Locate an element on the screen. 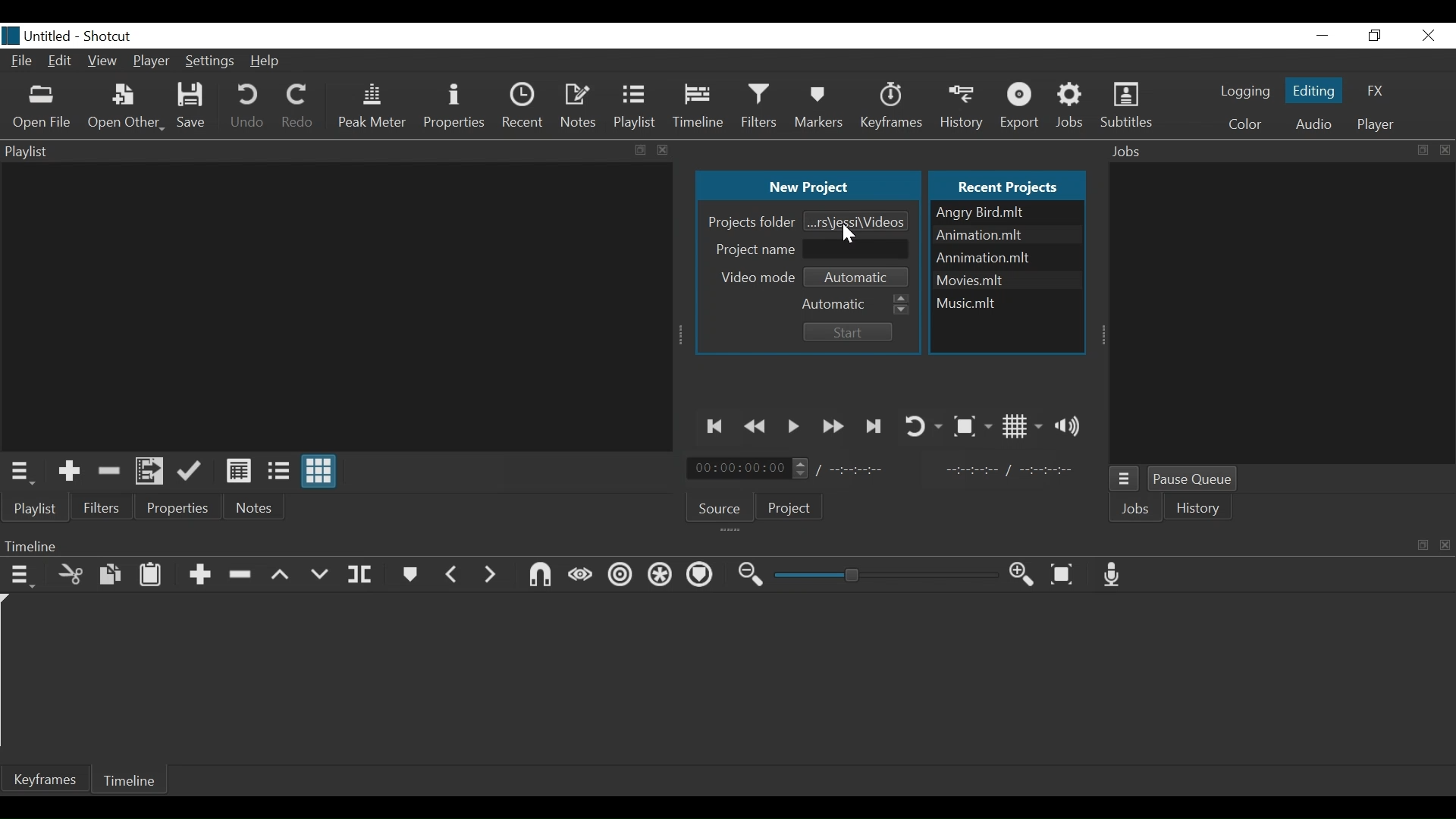 The image size is (1456, 819). Show volume control is located at coordinates (1072, 425).